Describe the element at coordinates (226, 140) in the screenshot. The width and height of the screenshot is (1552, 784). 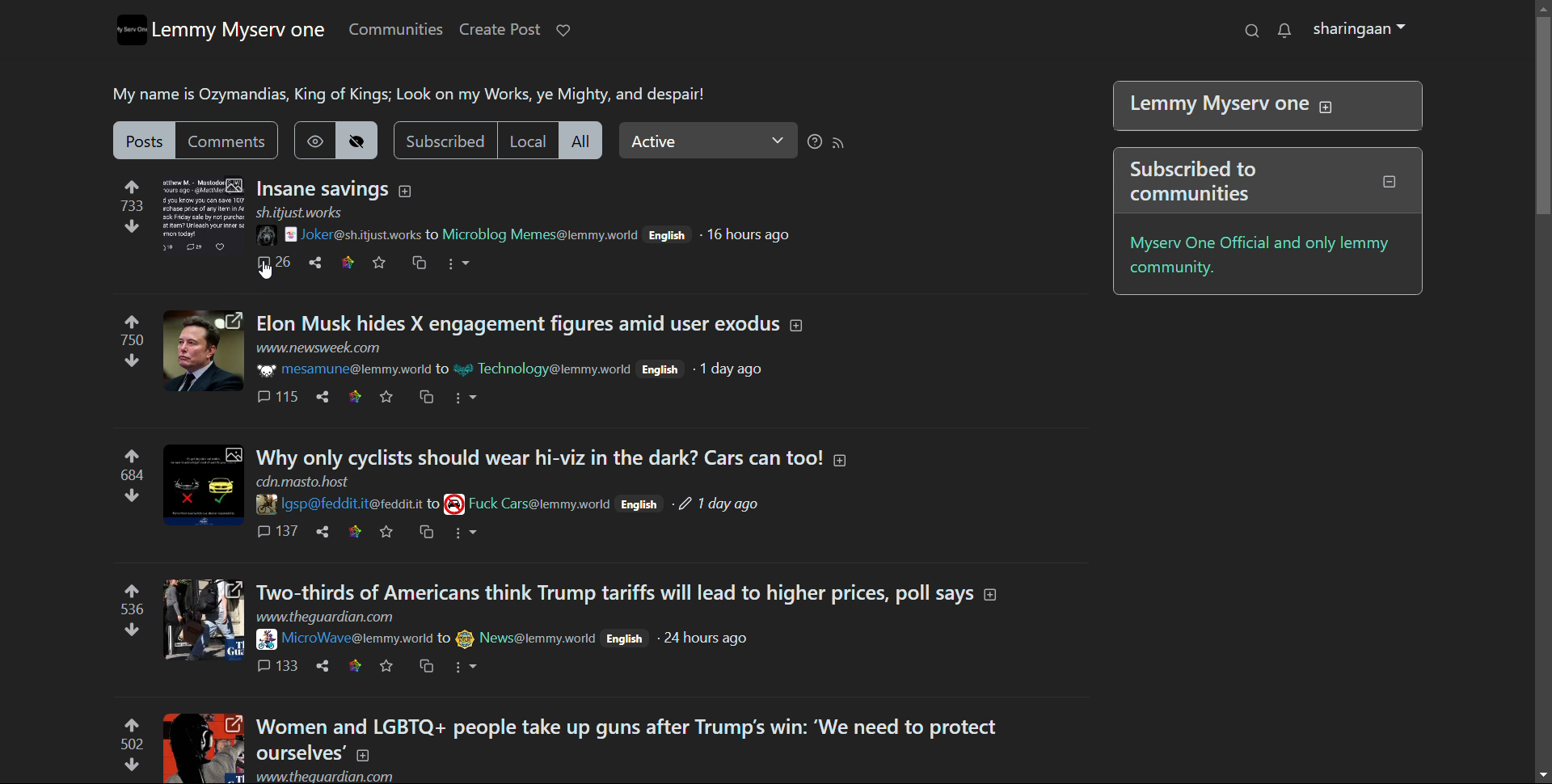
I see `comments` at that location.